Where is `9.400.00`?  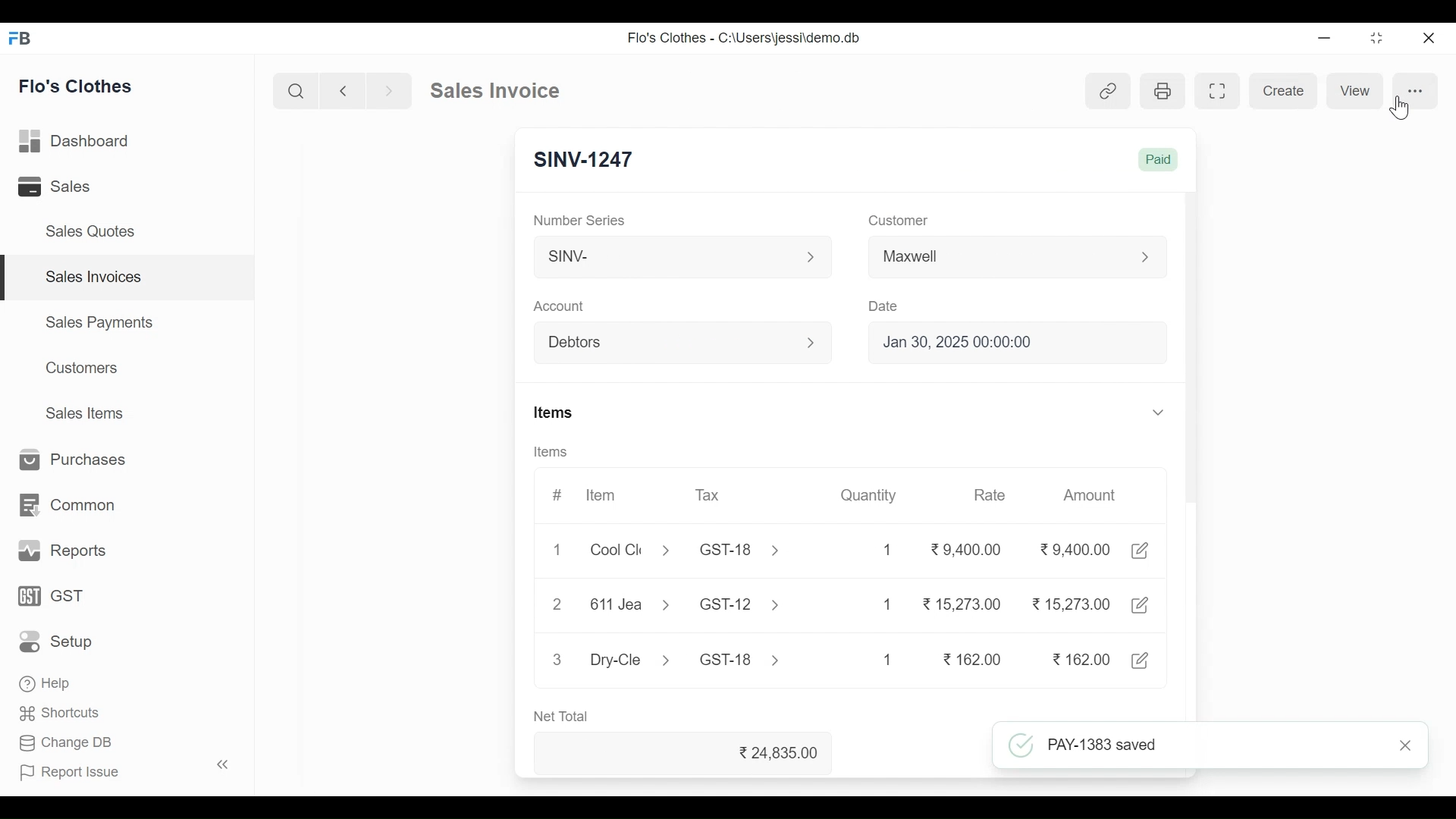
9.400.00 is located at coordinates (1075, 548).